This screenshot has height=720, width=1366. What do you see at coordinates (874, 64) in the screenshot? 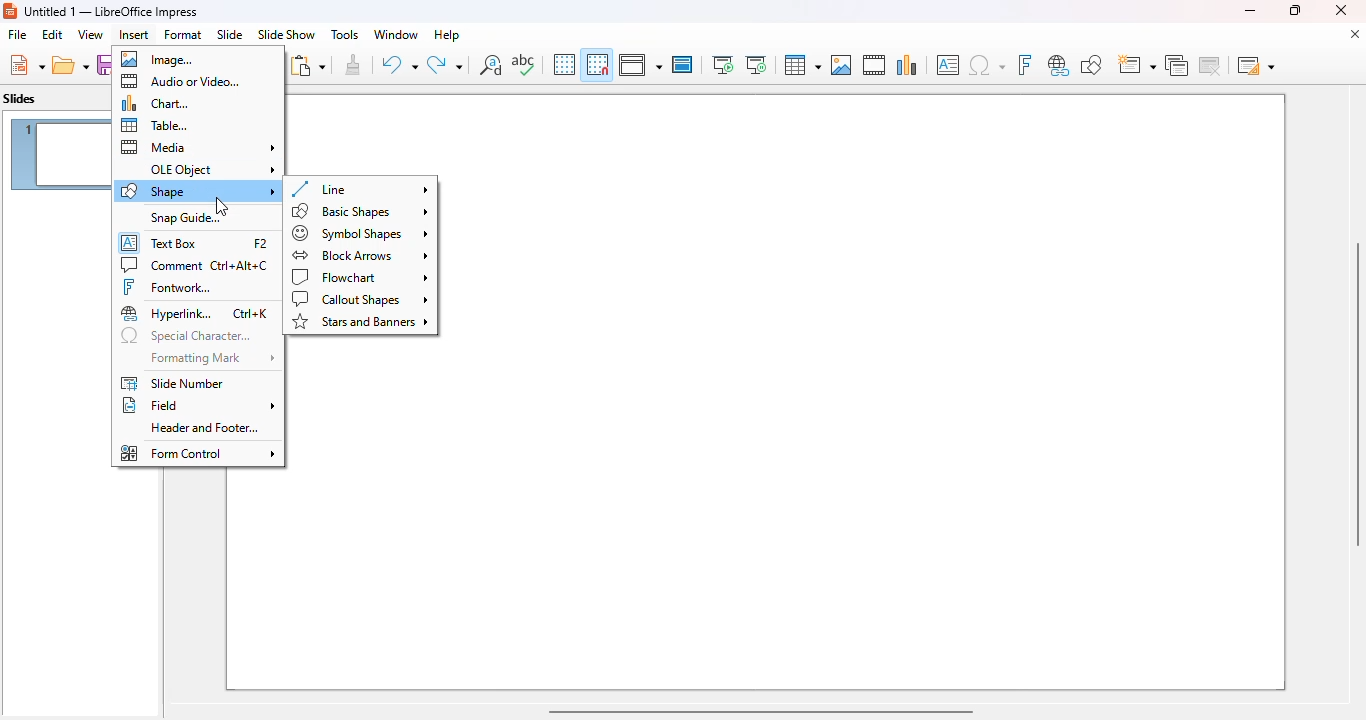
I see `insert audio or video` at bounding box center [874, 64].